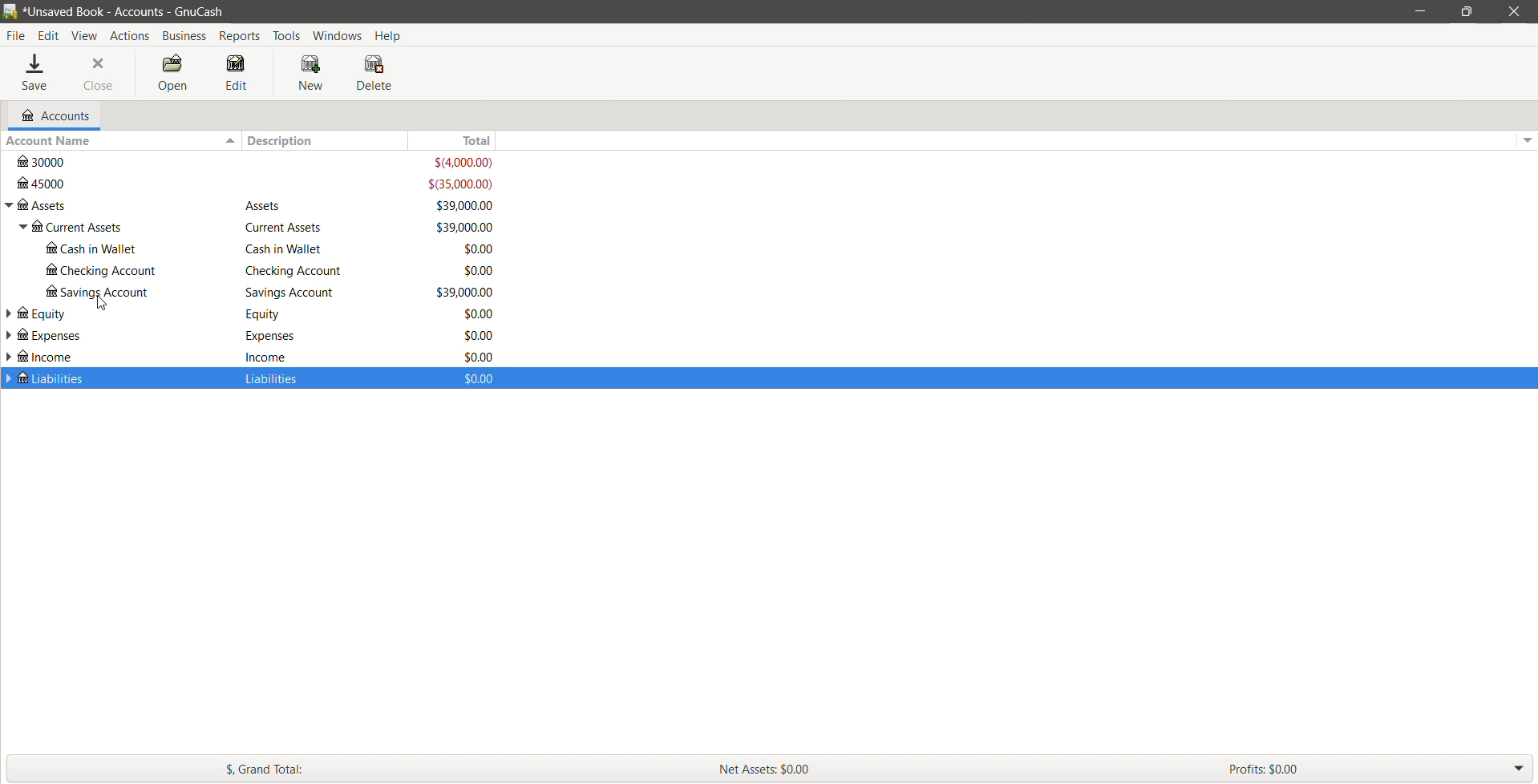  I want to click on File, so click(15, 36).